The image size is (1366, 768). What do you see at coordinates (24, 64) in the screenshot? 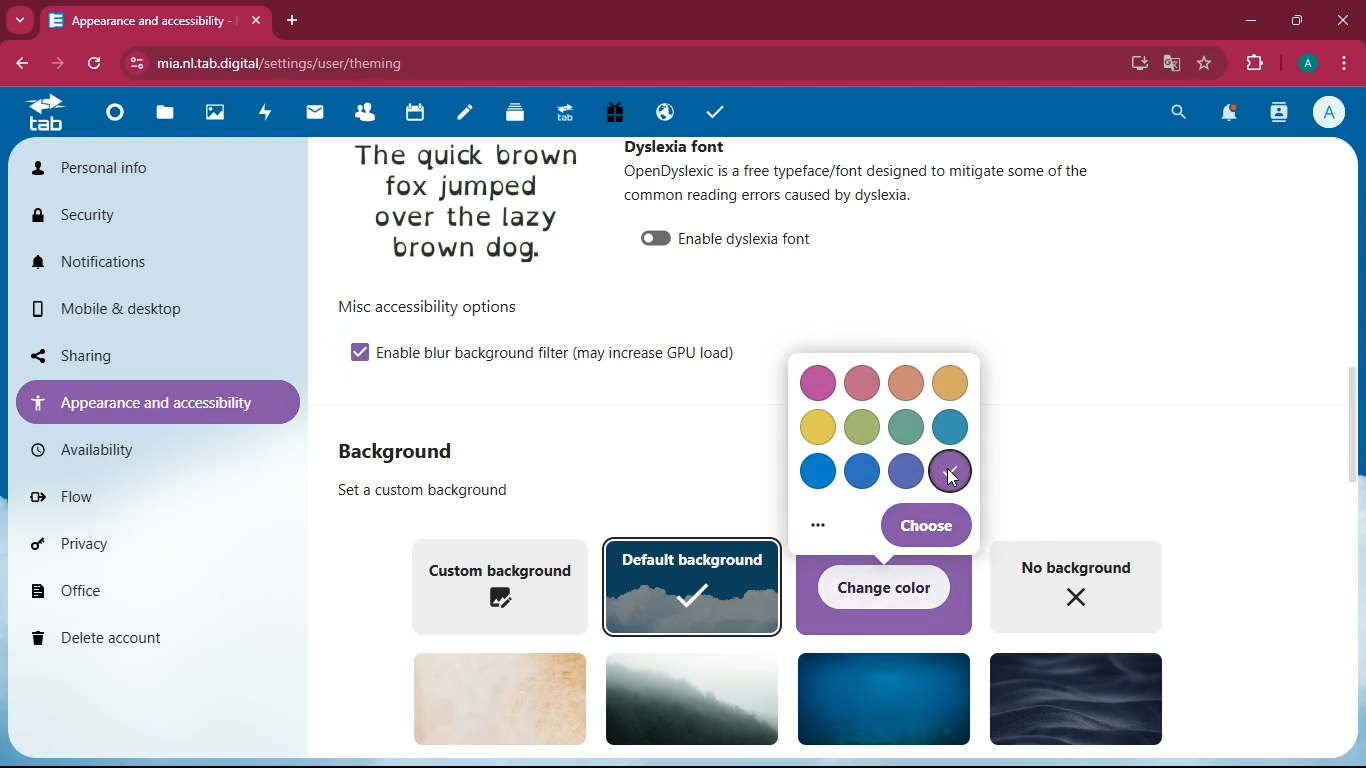
I see `back` at bounding box center [24, 64].